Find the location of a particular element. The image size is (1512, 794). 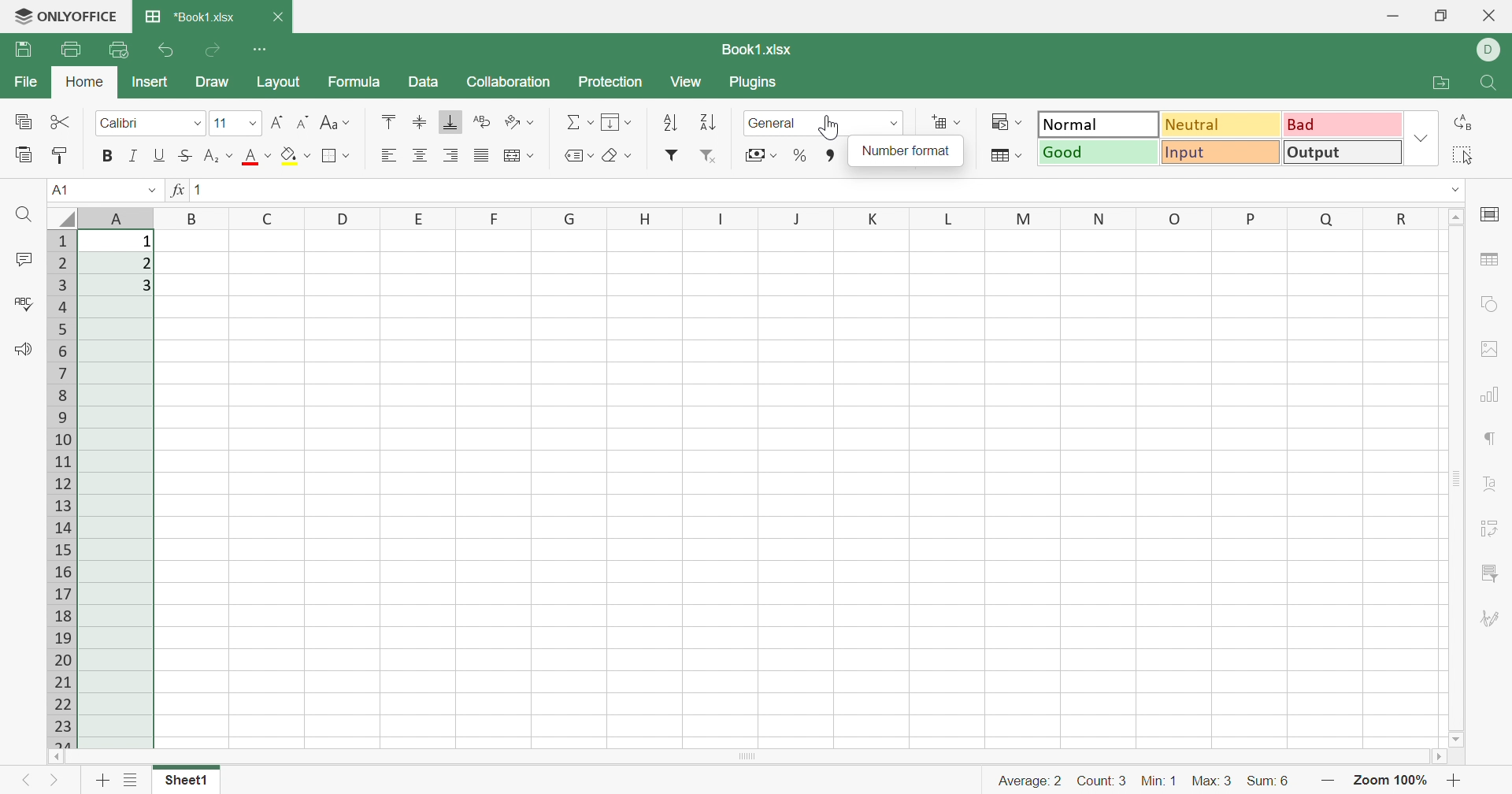

Signature settings is located at coordinates (1489, 619).